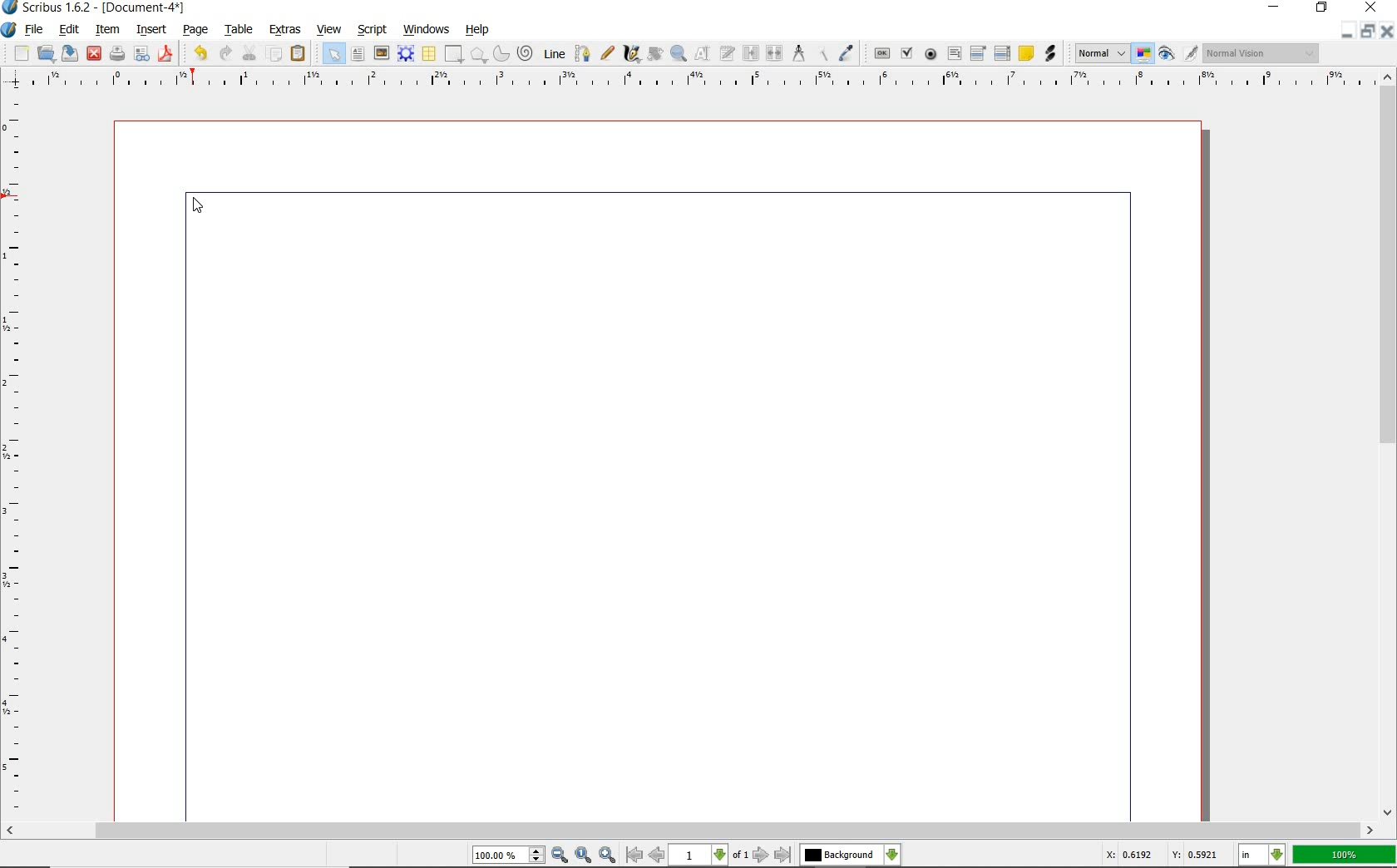 The width and height of the screenshot is (1397, 868). I want to click on pdf combo box, so click(977, 52).